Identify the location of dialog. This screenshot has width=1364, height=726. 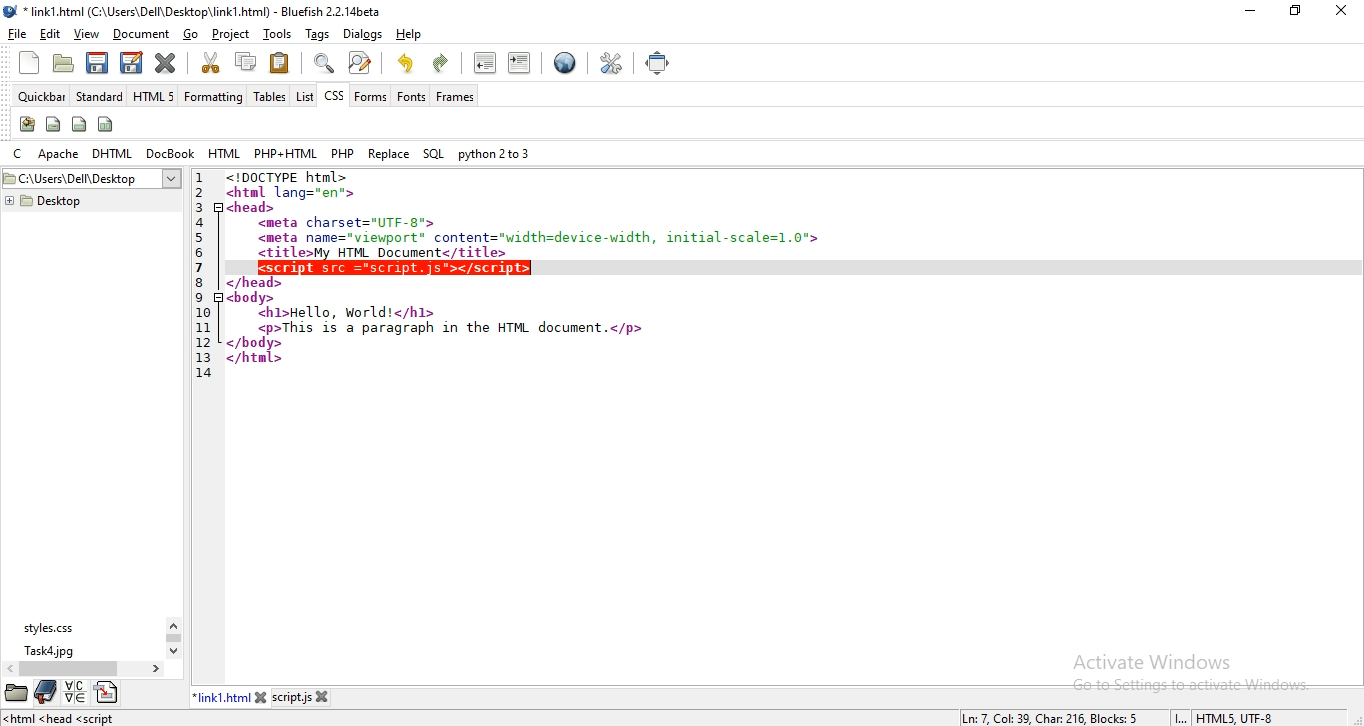
(361, 34).